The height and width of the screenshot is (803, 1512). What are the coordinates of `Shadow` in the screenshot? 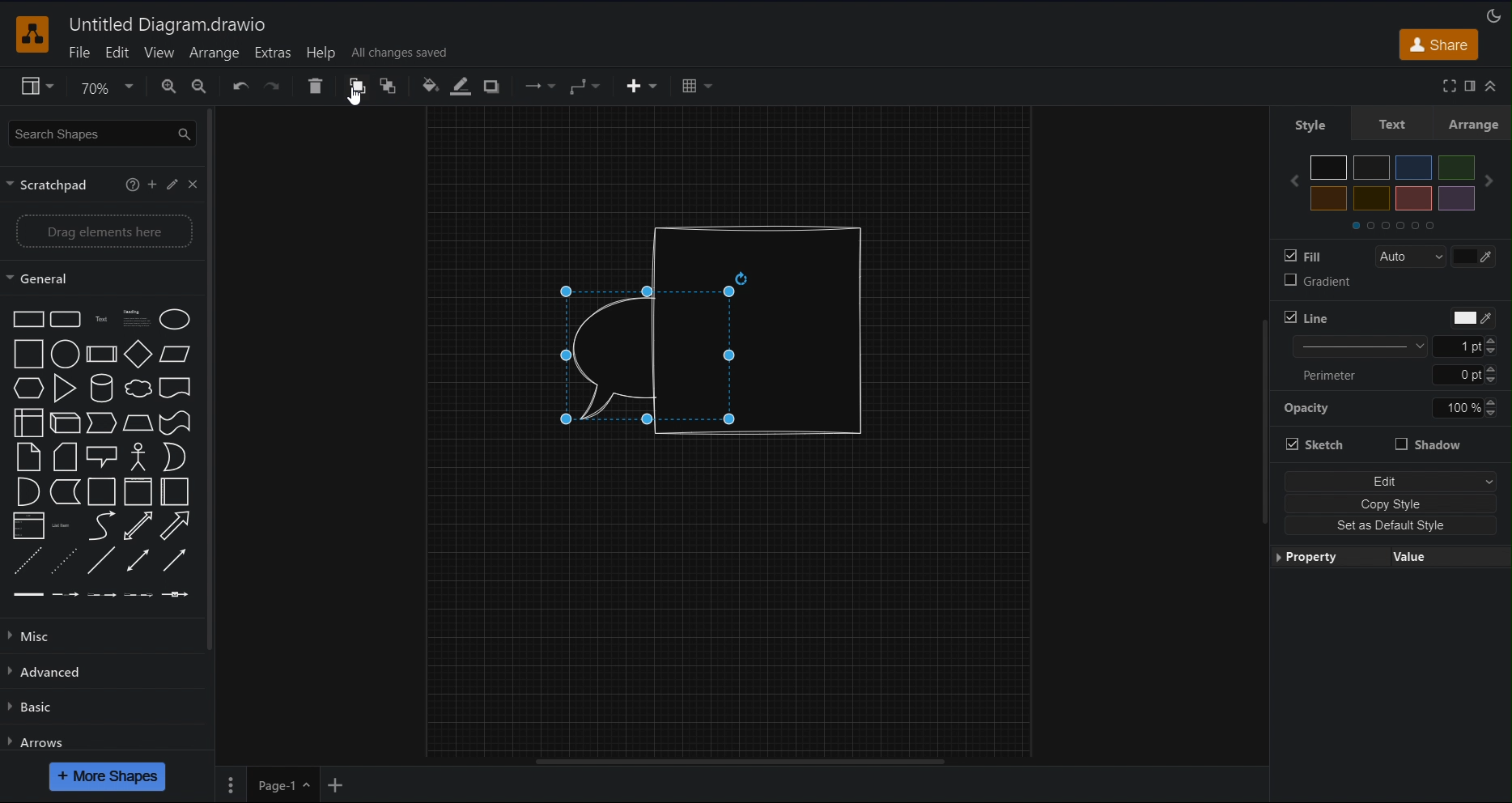 It's located at (1429, 444).